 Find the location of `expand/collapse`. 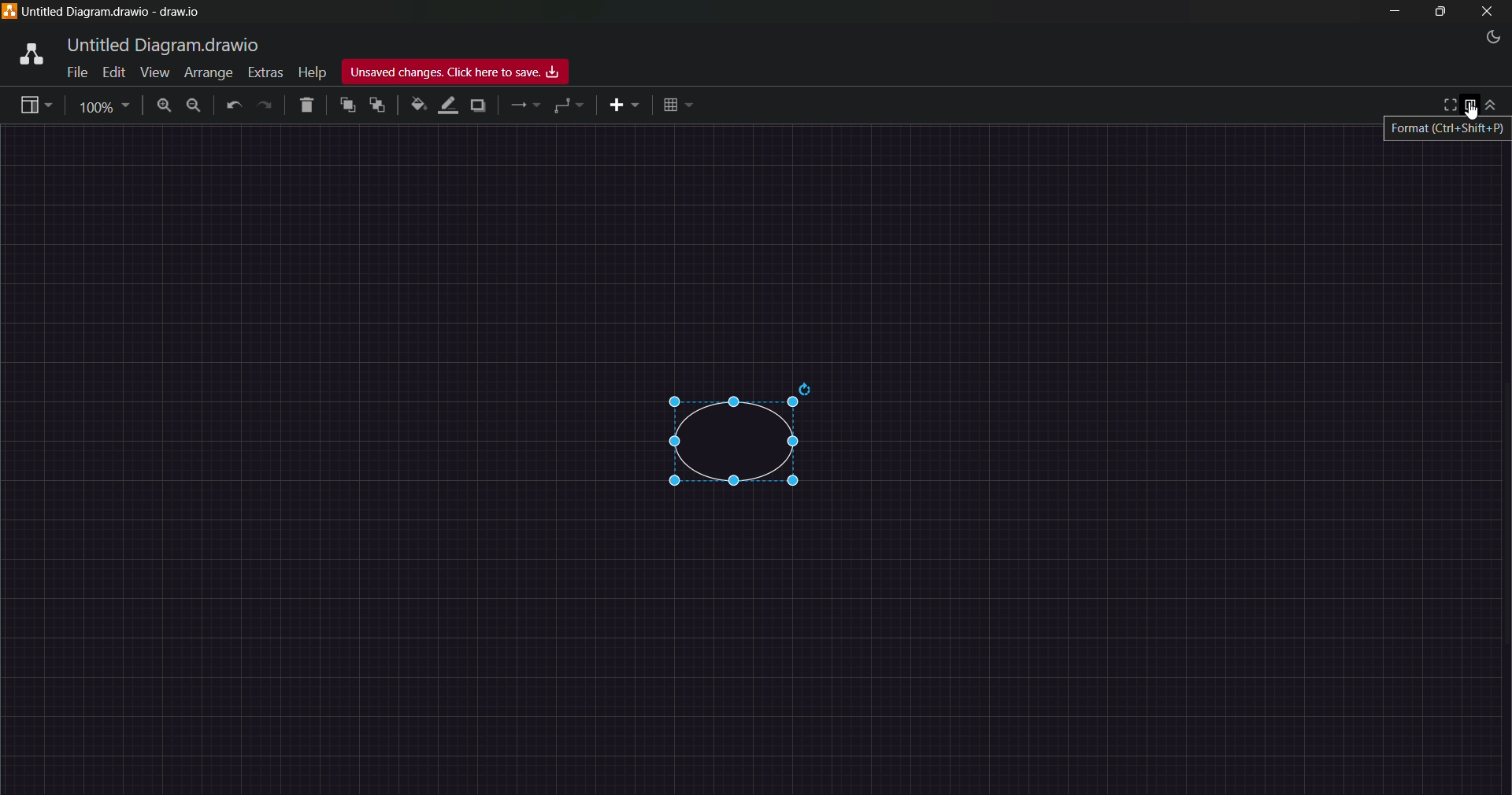

expand/collapse is located at coordinates (1496, 105).